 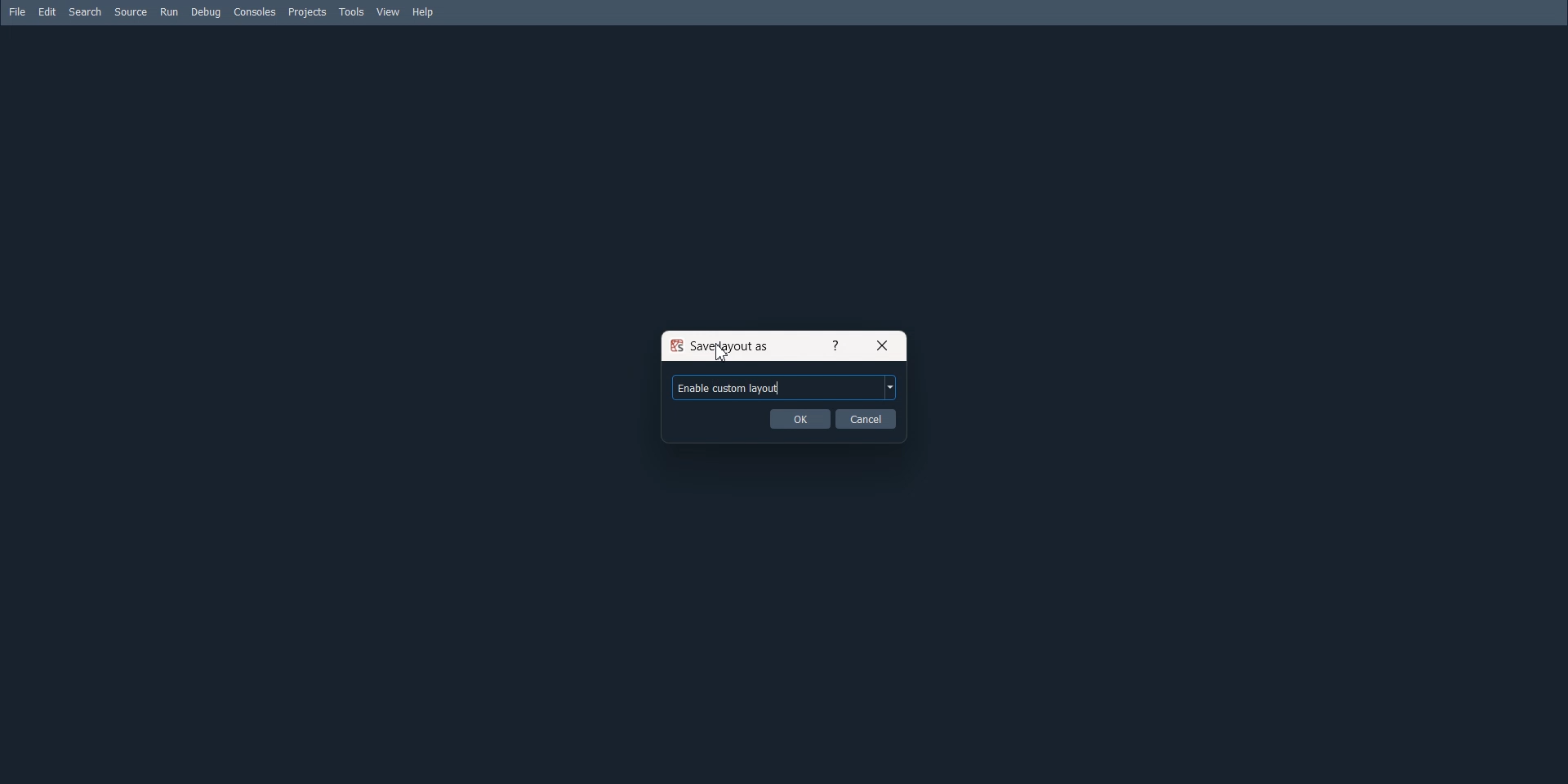 I want to click on View, so click(x=387, y=12).